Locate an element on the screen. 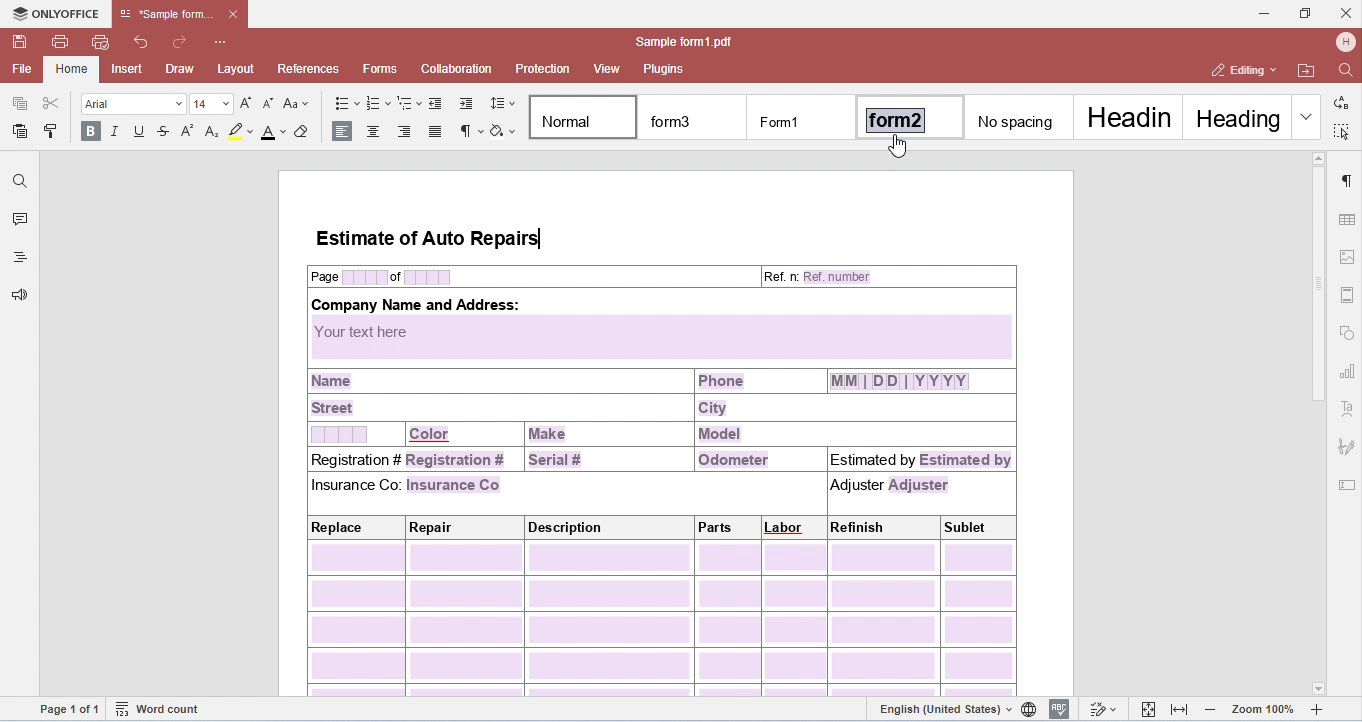 Image resolution: width=1362 pixels, height=722 pixels. minimize is located at coordinates (1264, 14).